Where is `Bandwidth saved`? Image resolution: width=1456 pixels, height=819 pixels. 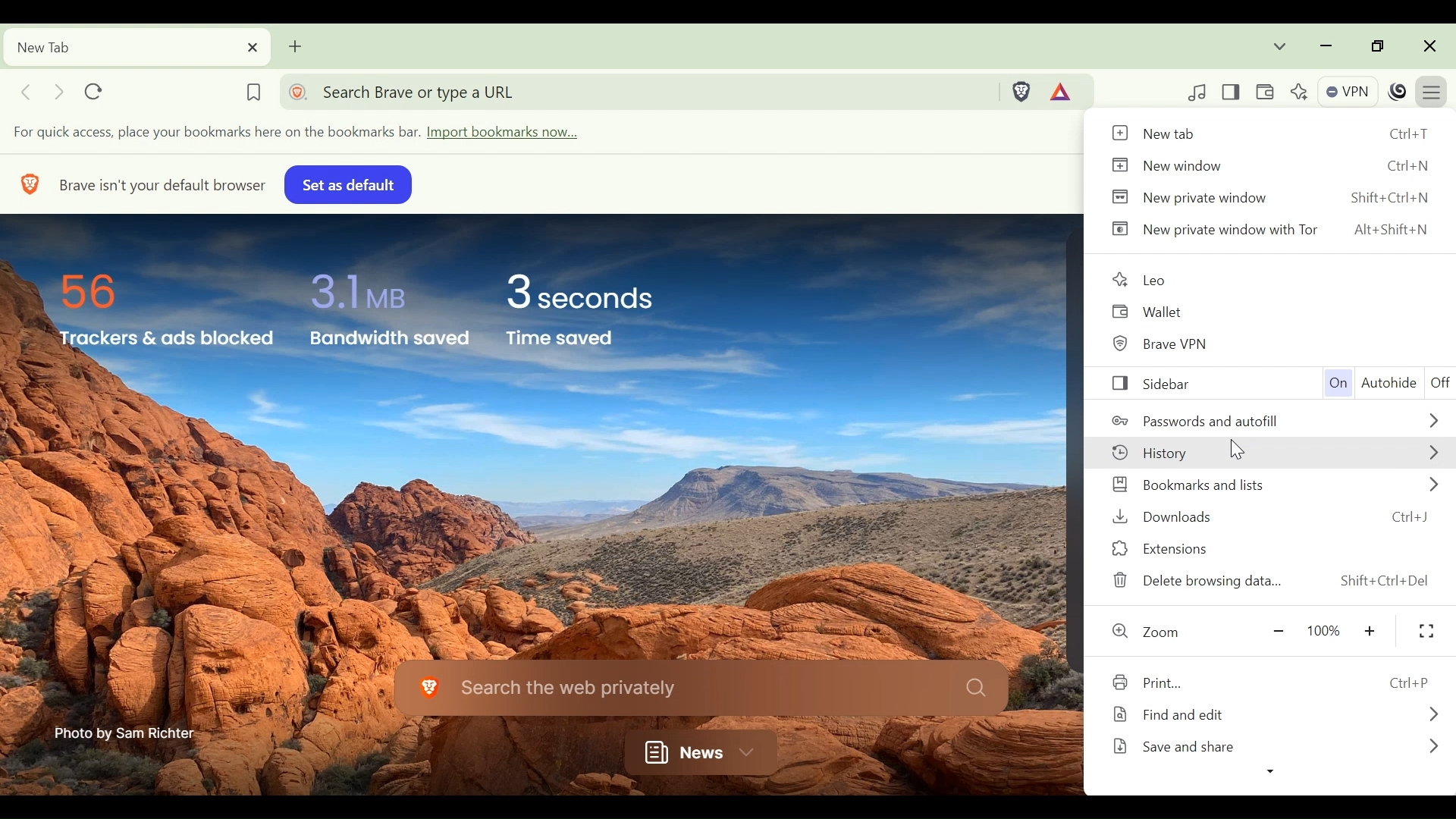 Bandwidth saved is located at coordinates (389, 342).